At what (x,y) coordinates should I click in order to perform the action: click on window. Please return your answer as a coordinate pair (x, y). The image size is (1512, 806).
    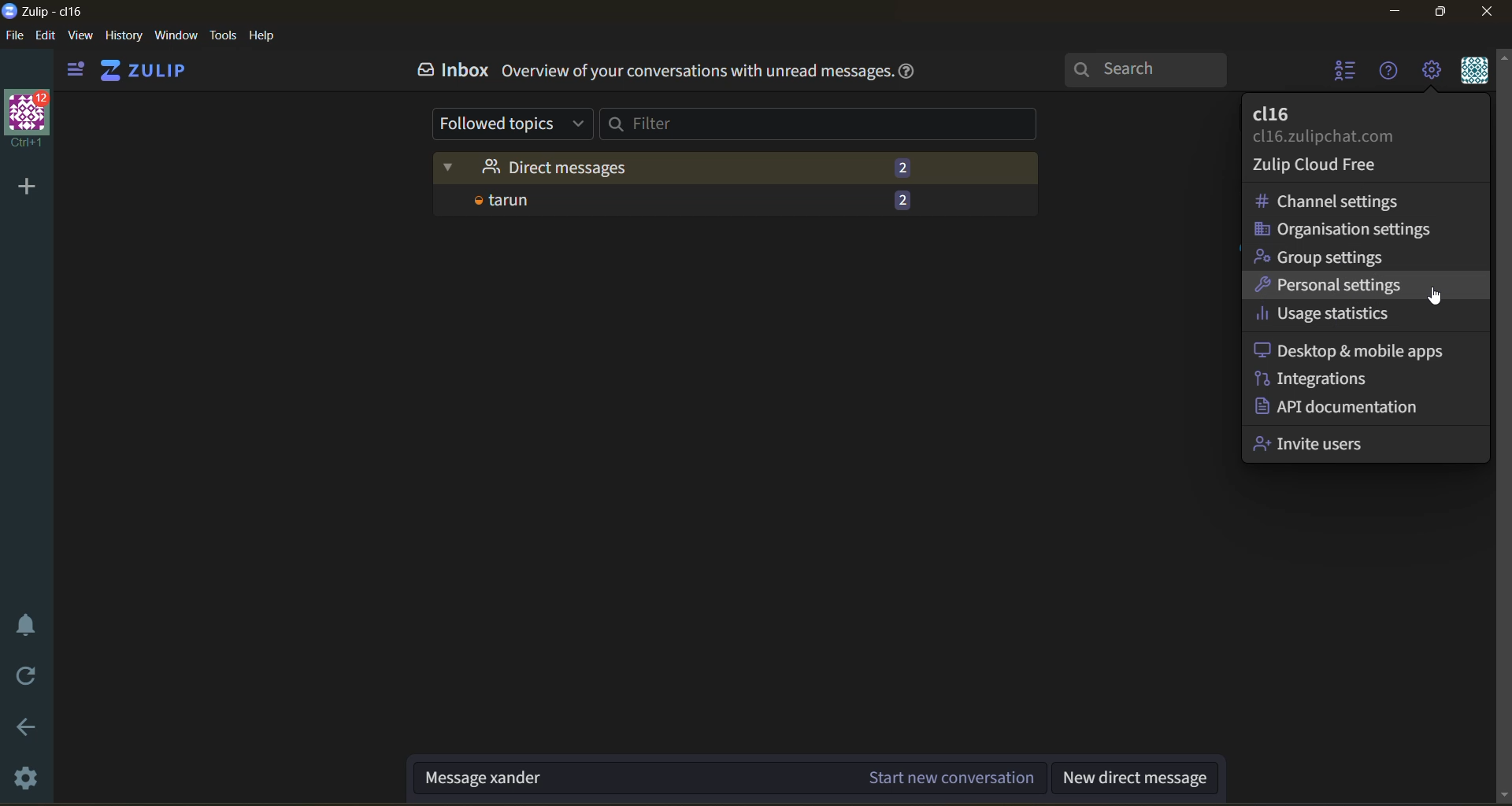
    Looking at the image, I should click on (175, 38).